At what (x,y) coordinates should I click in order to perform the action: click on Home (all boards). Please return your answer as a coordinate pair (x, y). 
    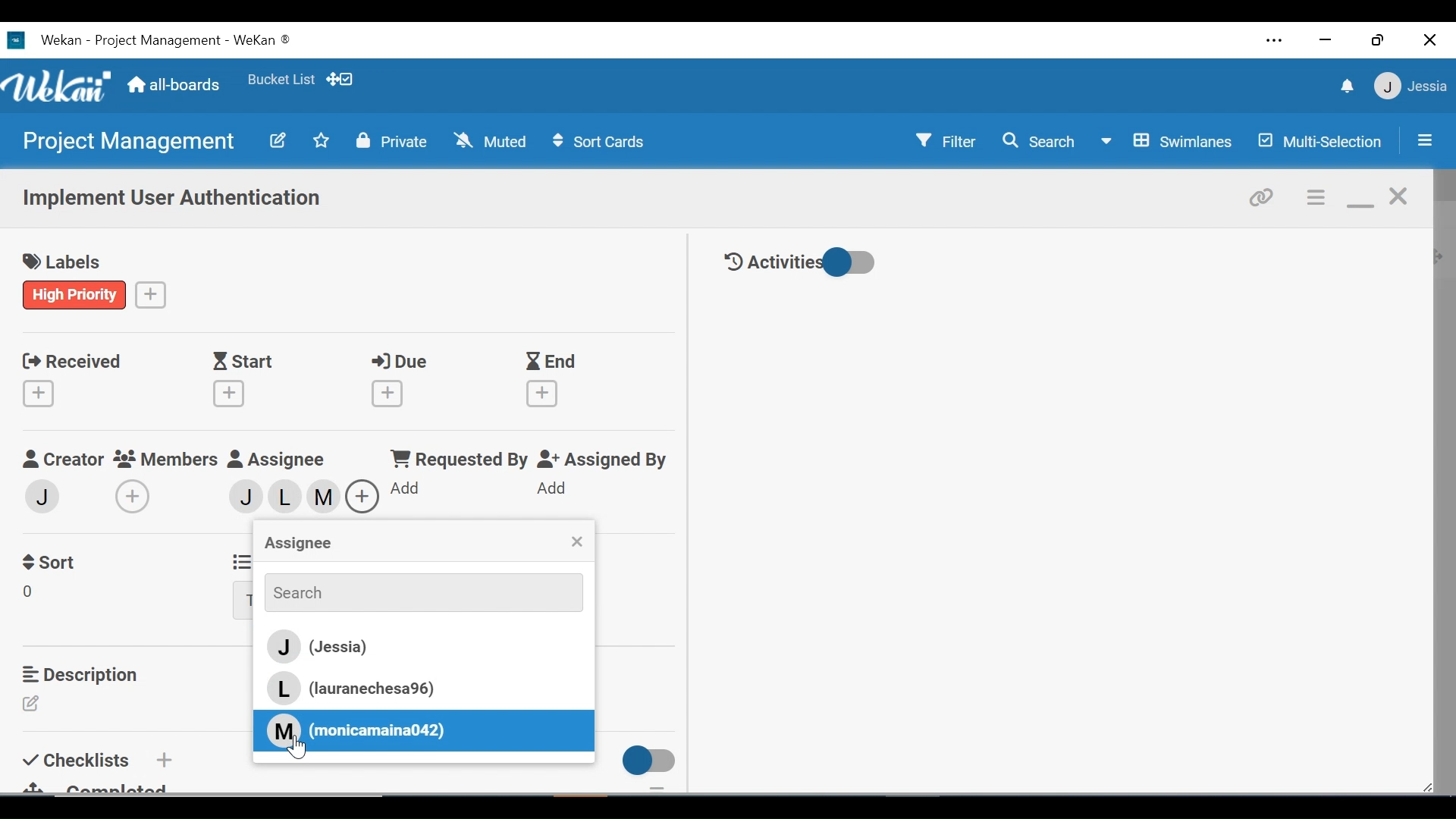
    Looking at the image, I should click on (174, 86).